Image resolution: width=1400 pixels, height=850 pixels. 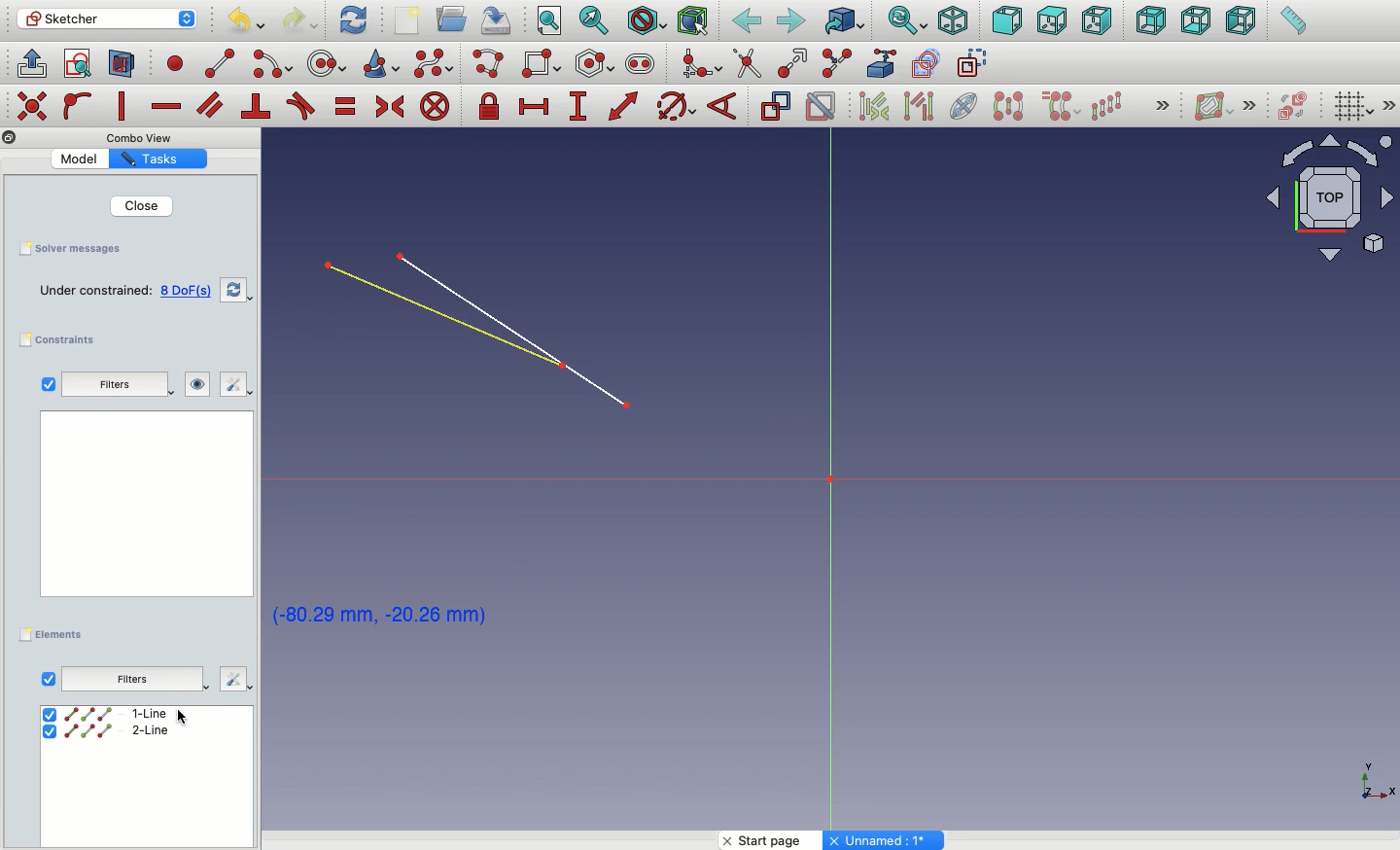 I want to click on arc, so click(x=273, y=64).